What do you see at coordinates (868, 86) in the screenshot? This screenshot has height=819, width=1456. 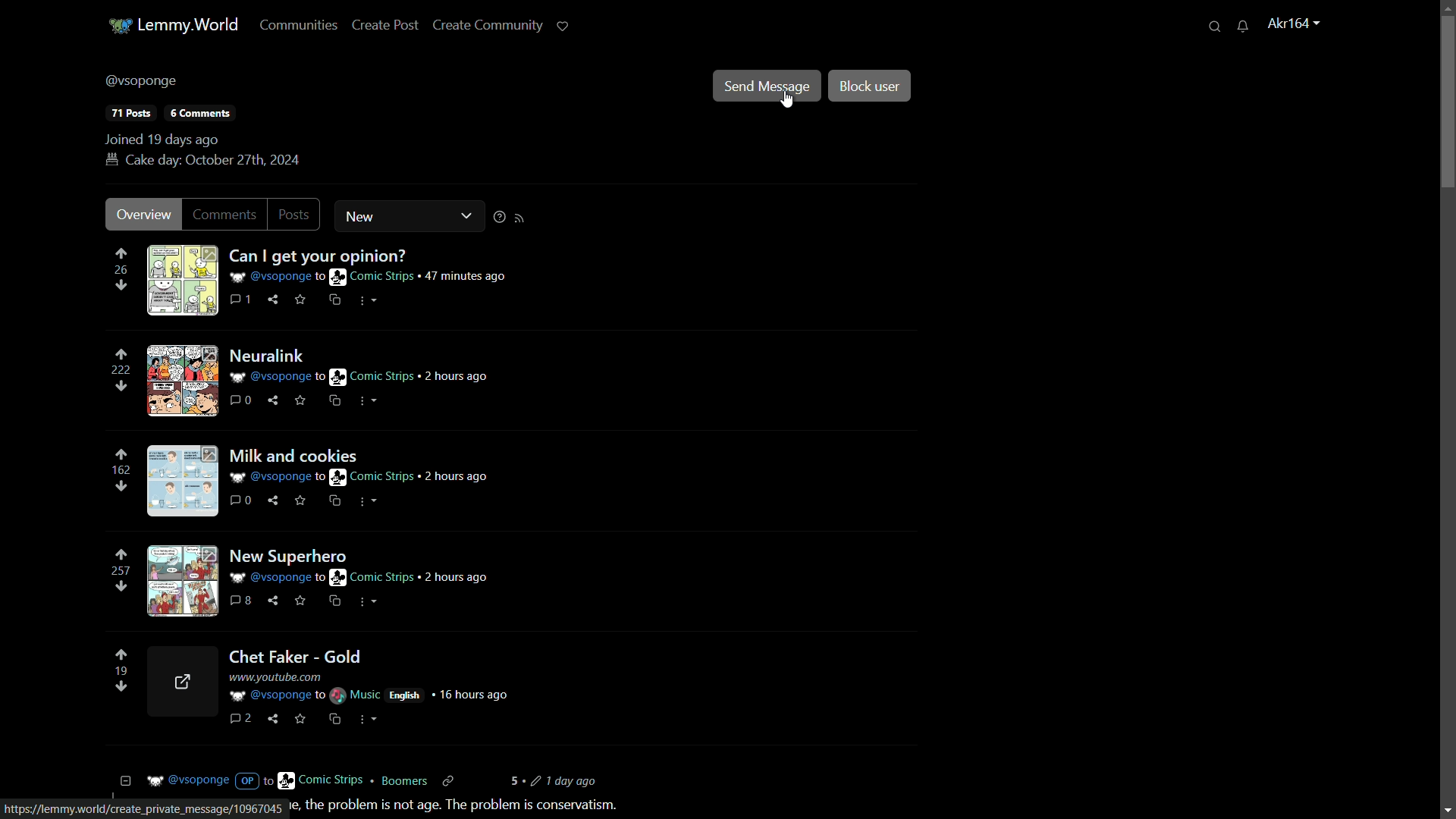 I see `block user` at bounding box center [868, 86].